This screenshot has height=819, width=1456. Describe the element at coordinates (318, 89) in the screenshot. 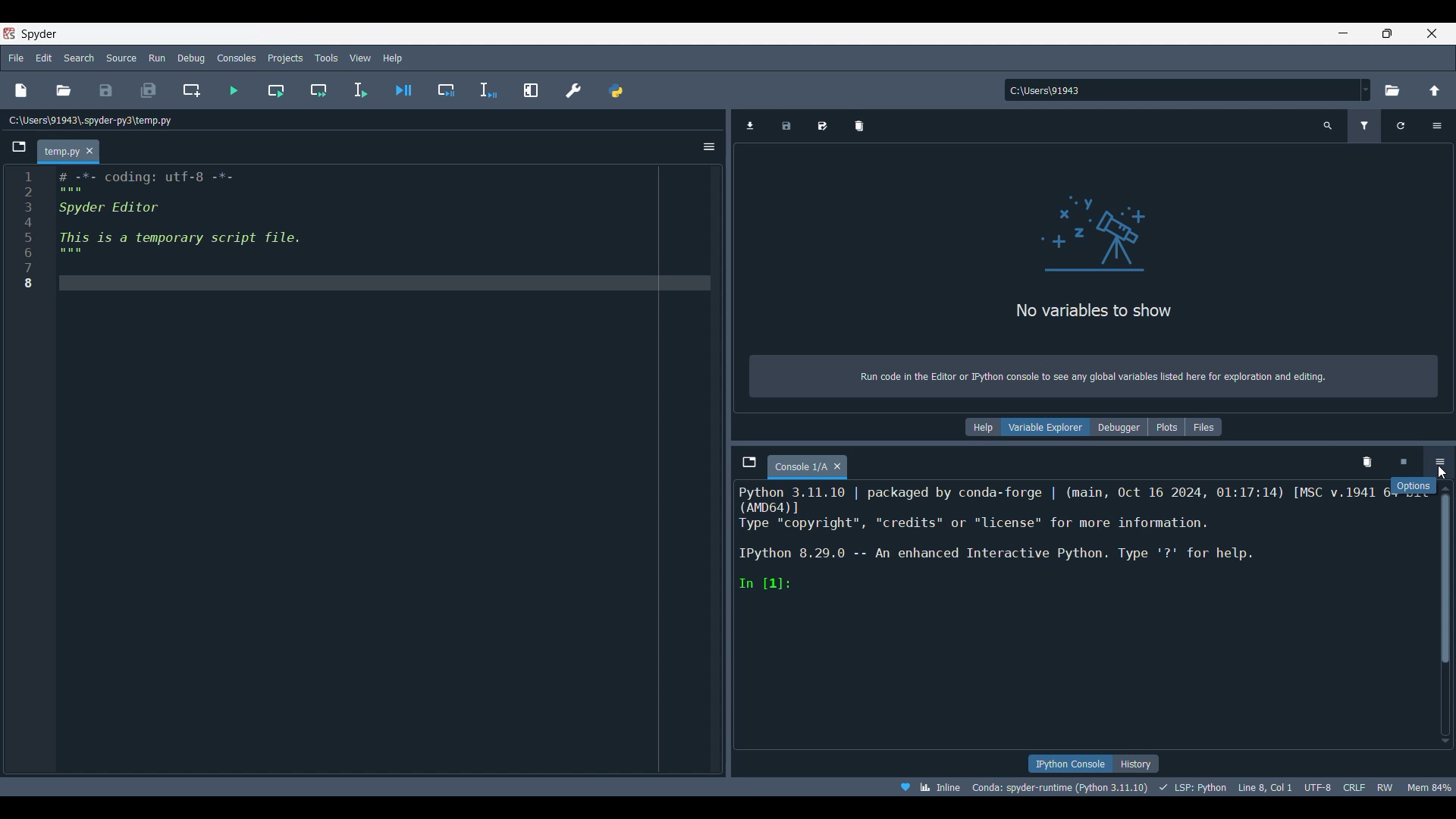

I see `Run current cell and go to next one` at that location.